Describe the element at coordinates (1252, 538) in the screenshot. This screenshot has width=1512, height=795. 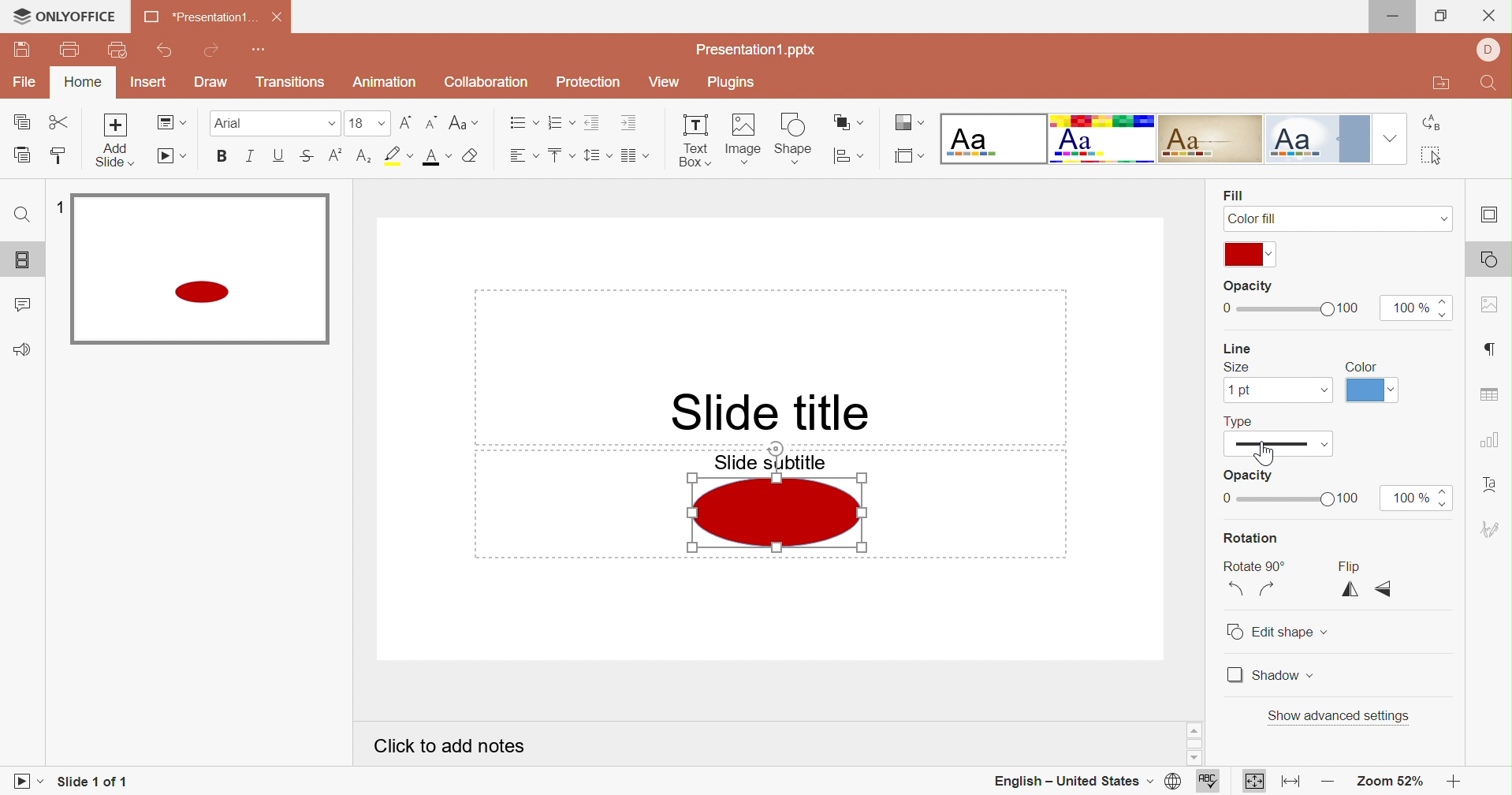
I see `Rotation` at that location.